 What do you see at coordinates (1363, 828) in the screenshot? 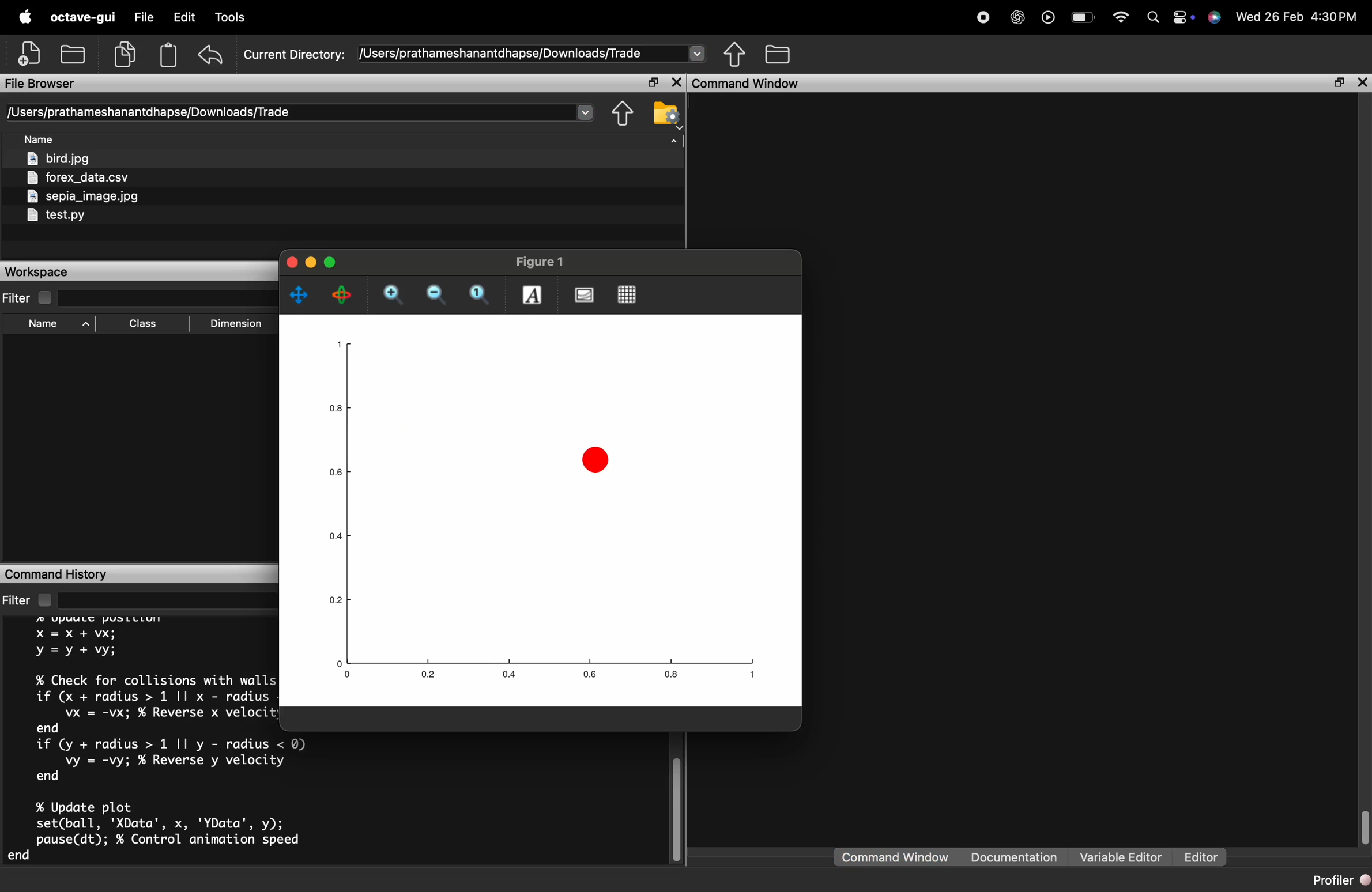
I see `scrollbar` at bounding box center [1363, 828].